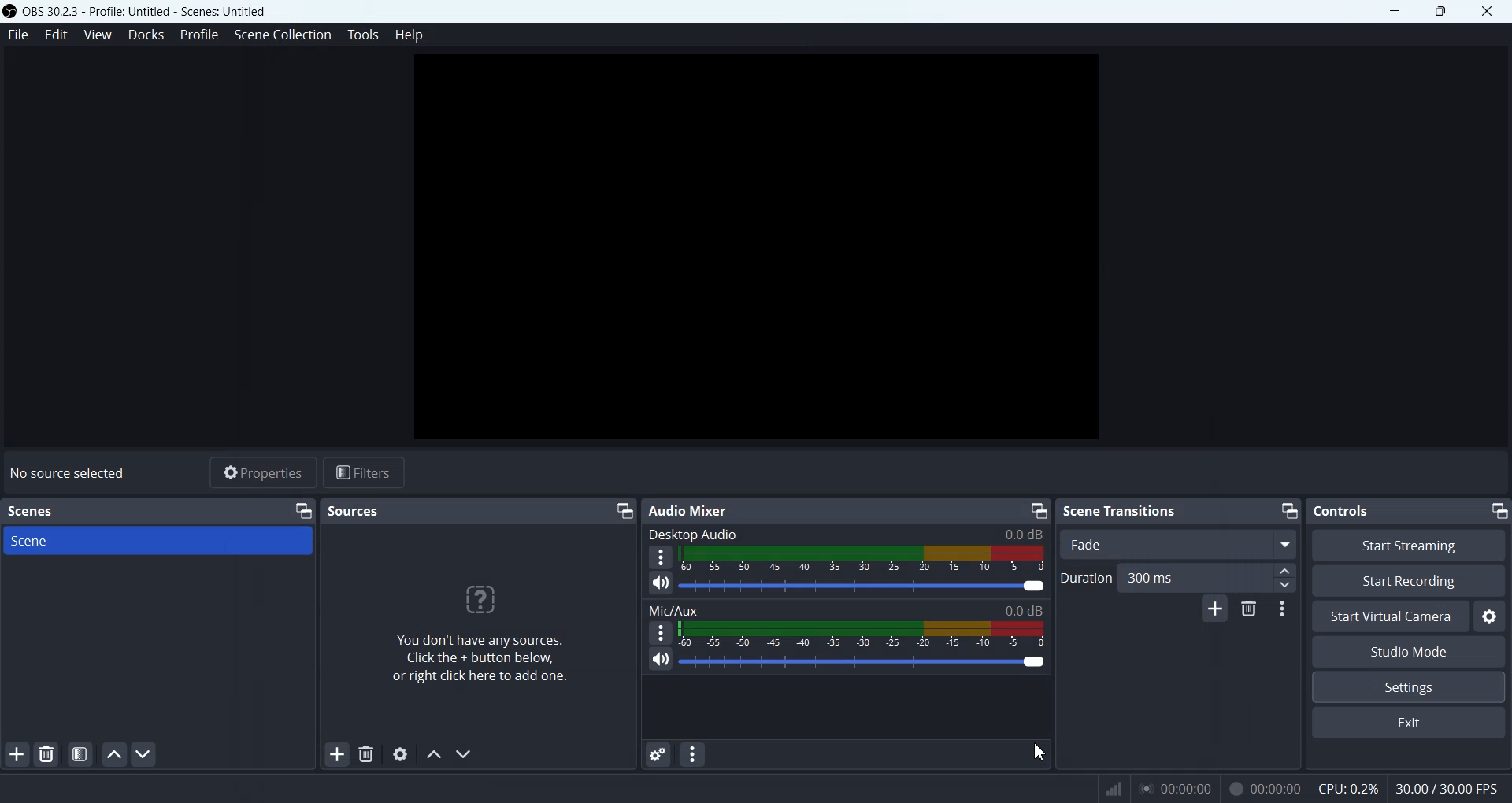 This screenshot has height=803, width=1512. I want to click on Docks, so click(145, 35).